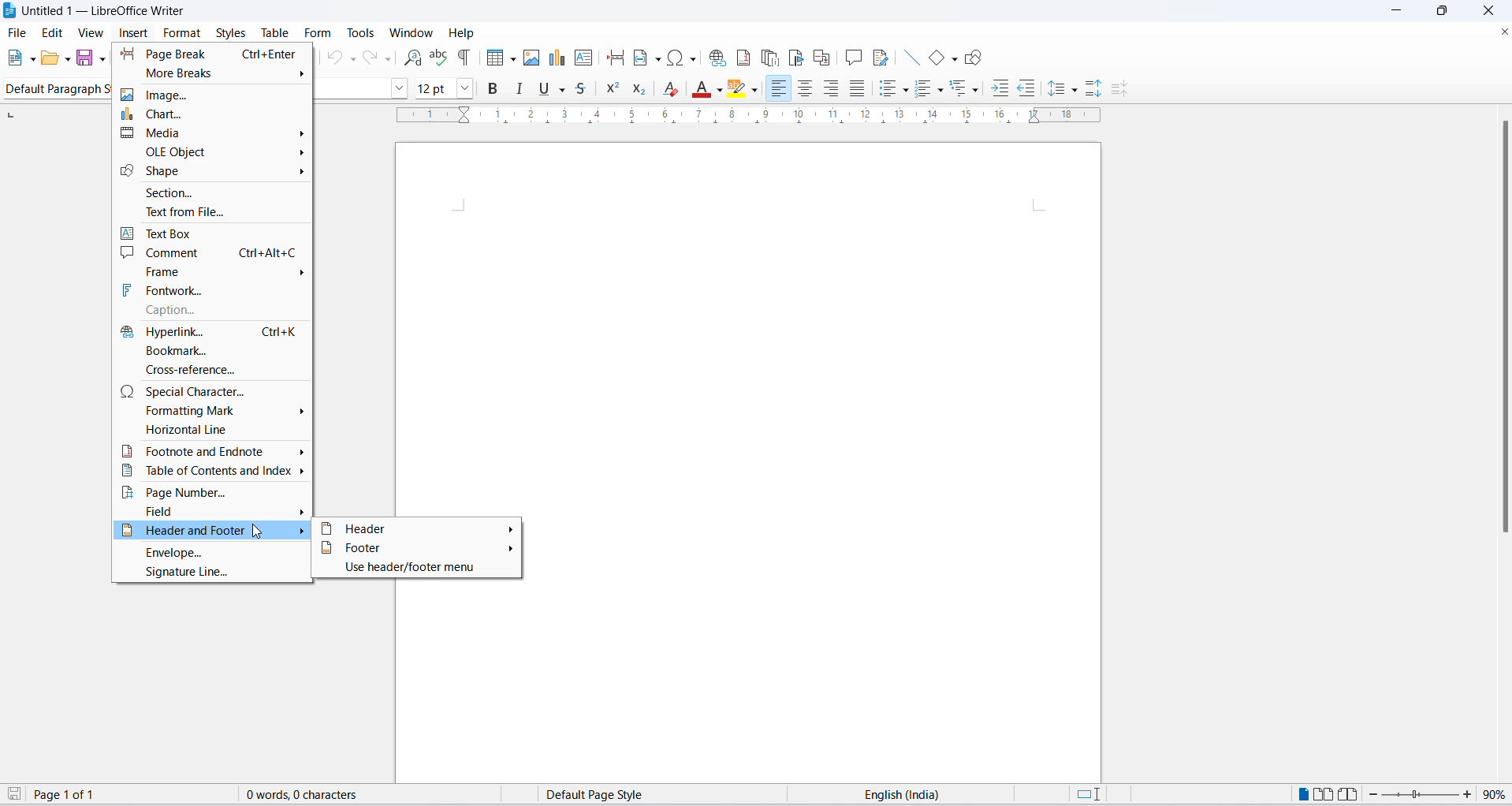  What do you see at coordinates (906, 57) in the screenshot?
I see `line` at bounding box center [906, 57].